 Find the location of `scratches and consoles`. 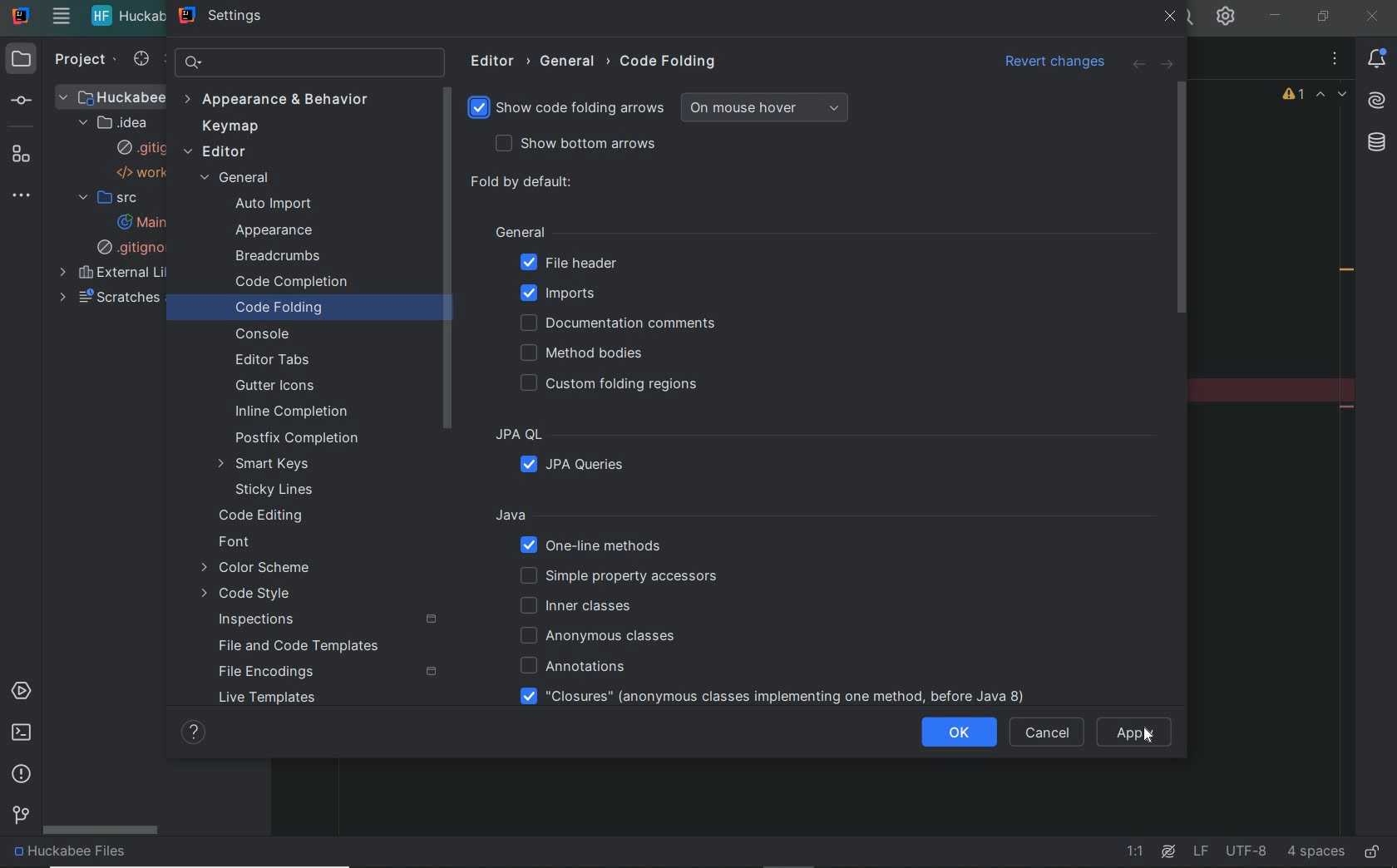

scratches and consoles is located at coordinates (112, 300).